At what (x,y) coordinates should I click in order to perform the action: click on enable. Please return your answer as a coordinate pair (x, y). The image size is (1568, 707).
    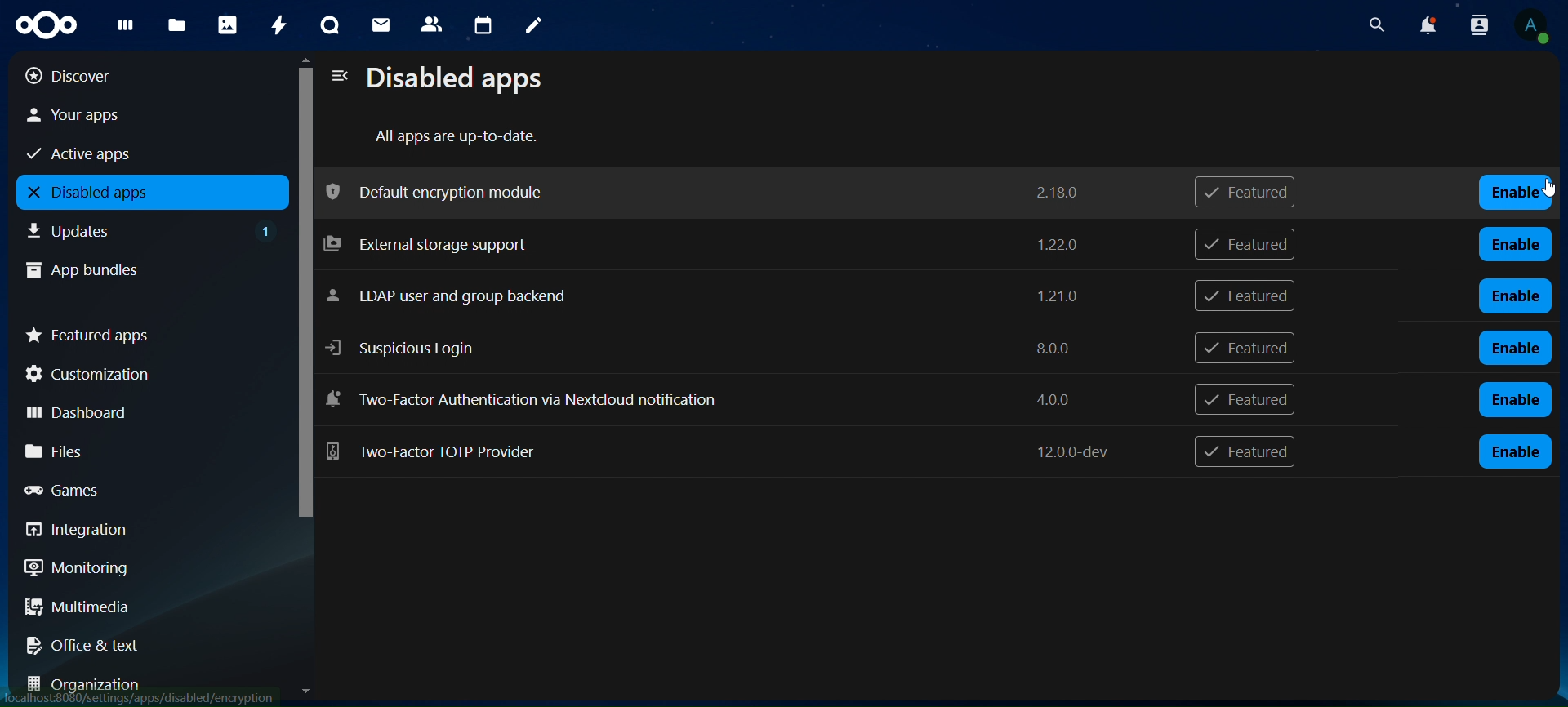
    Looking at the image, I should click on (1515, 295).